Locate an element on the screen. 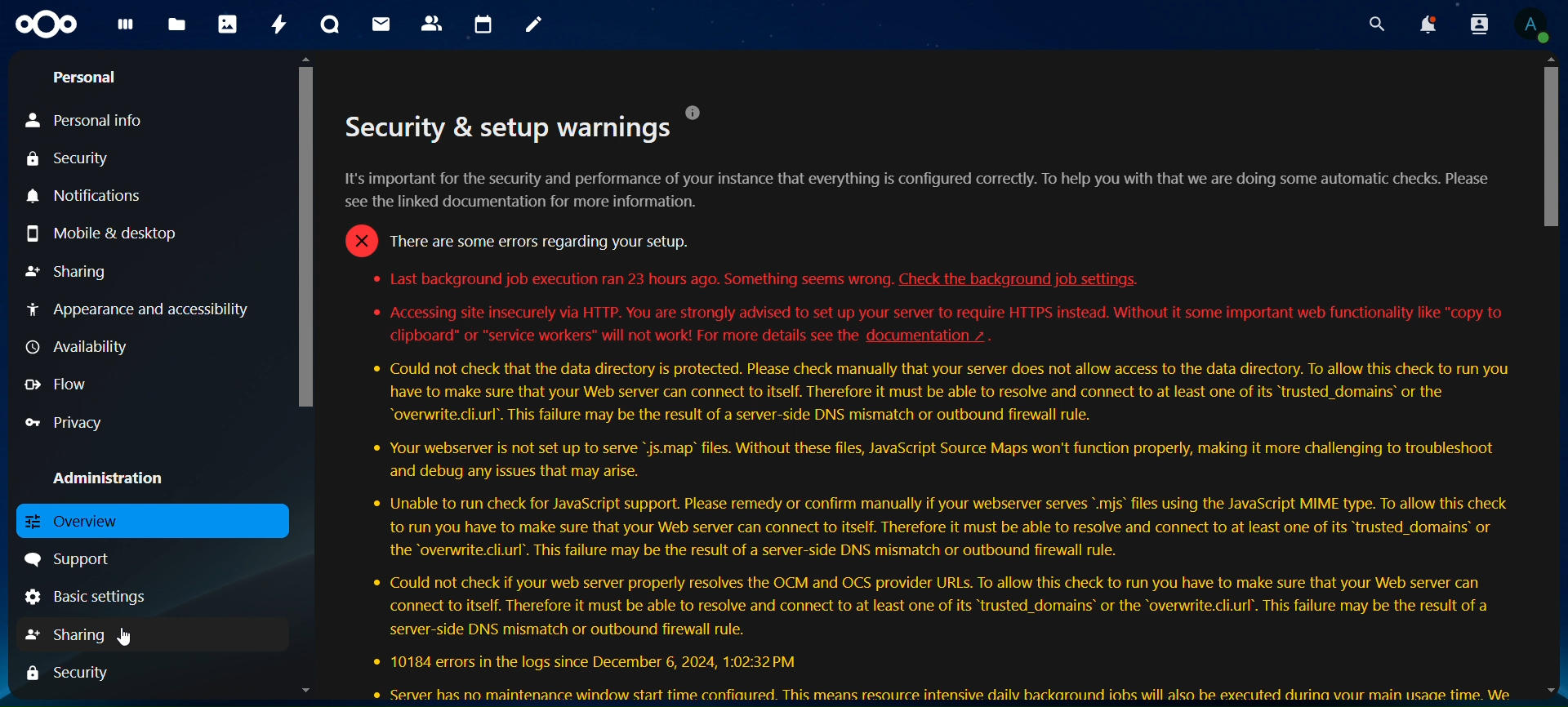 The image size is (1568, 707). notes is located at coordinates (532, 26).